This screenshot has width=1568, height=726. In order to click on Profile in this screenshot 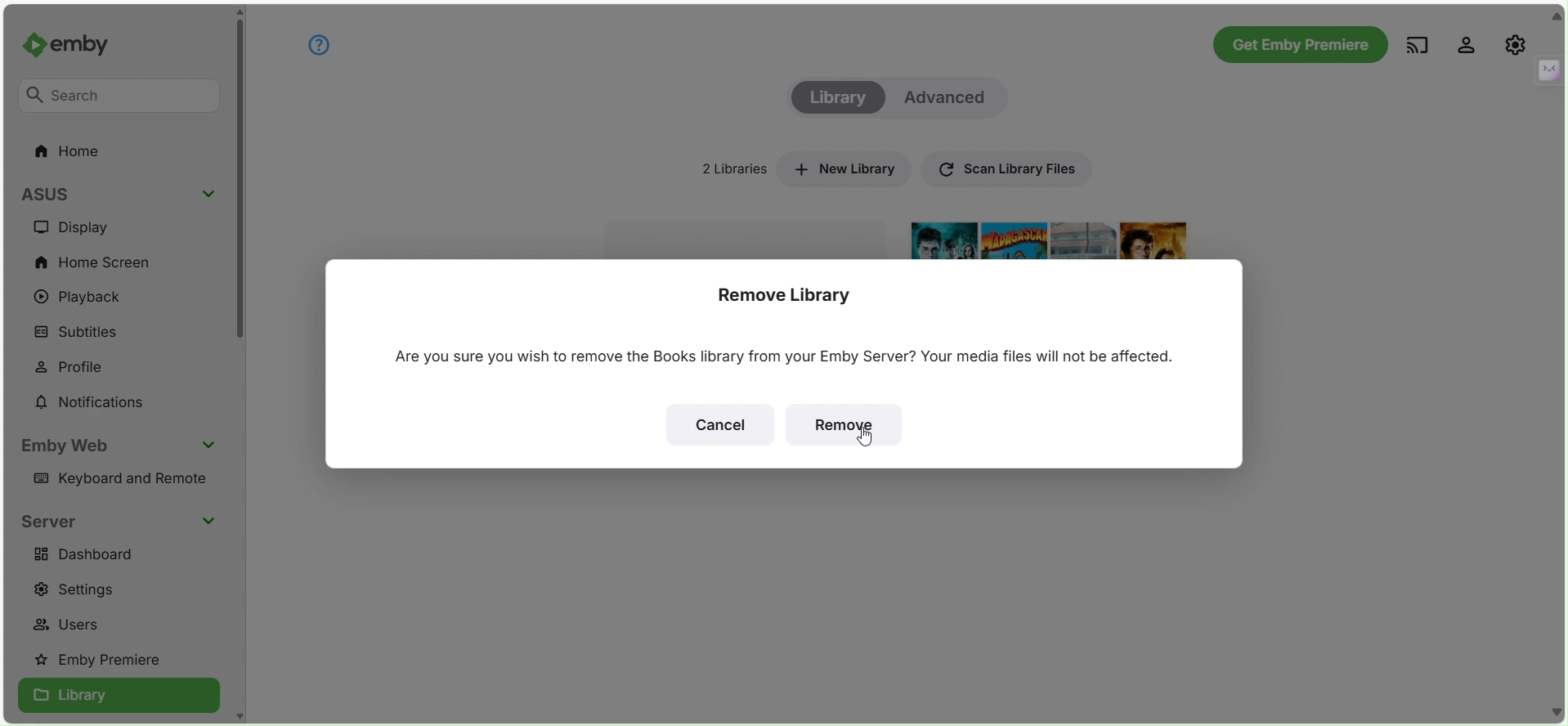, I will do `click(81, 366)`.